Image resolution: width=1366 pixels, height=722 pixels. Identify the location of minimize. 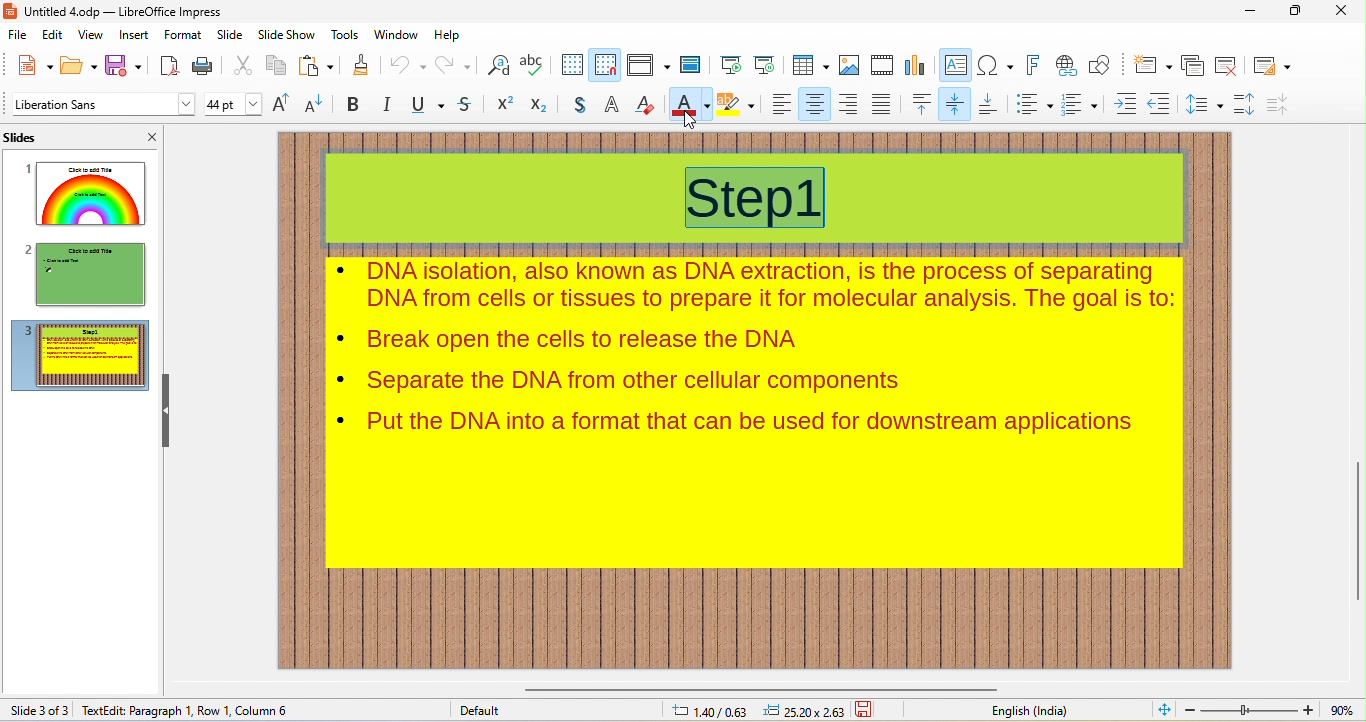
(1254, 14).